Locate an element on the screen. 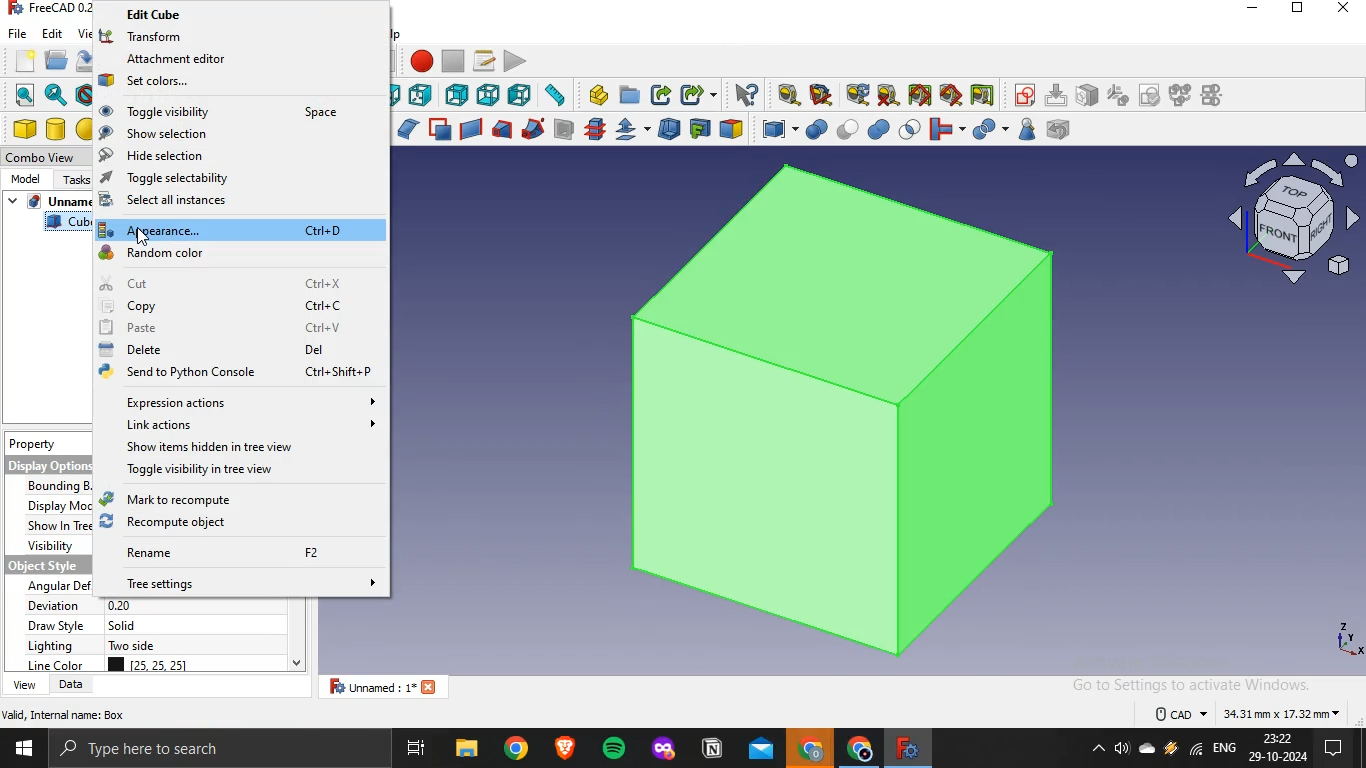 The image size is (1366, 768). start is located at coordinates (23, 751).